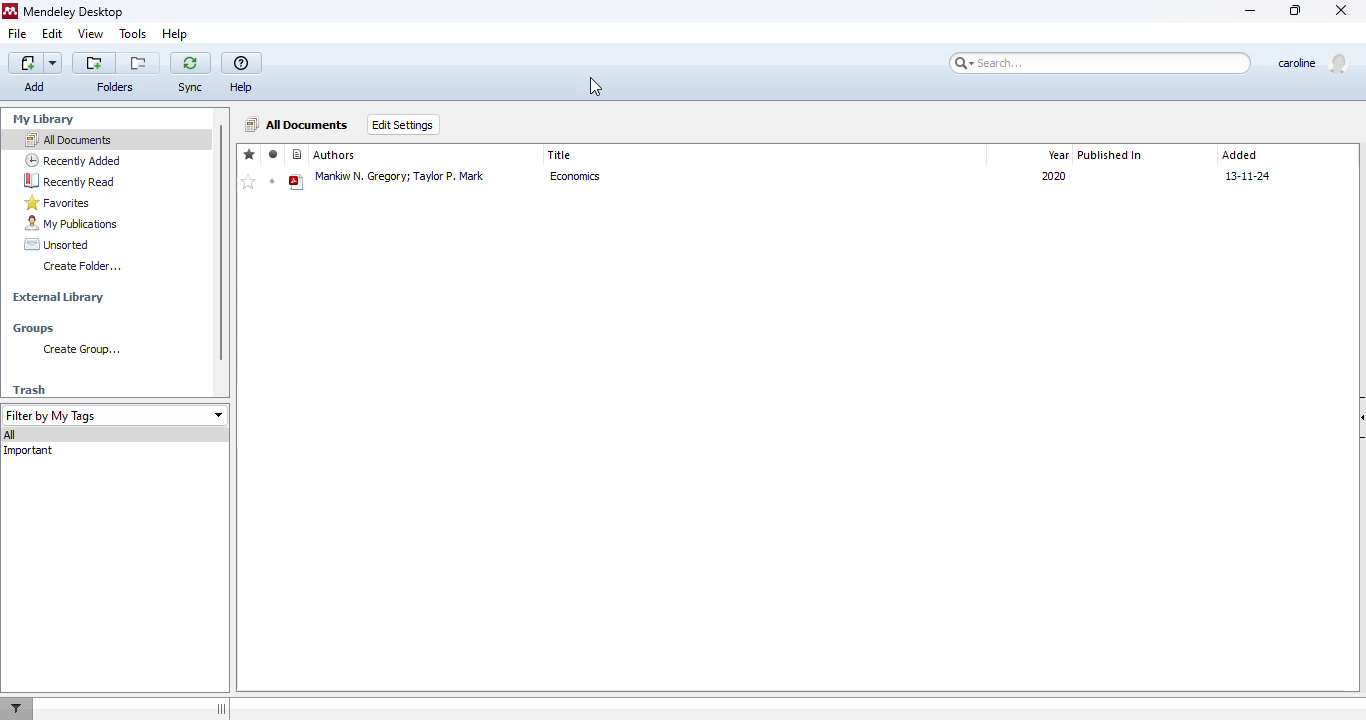  I want to click on create folder, so click(82, 266).